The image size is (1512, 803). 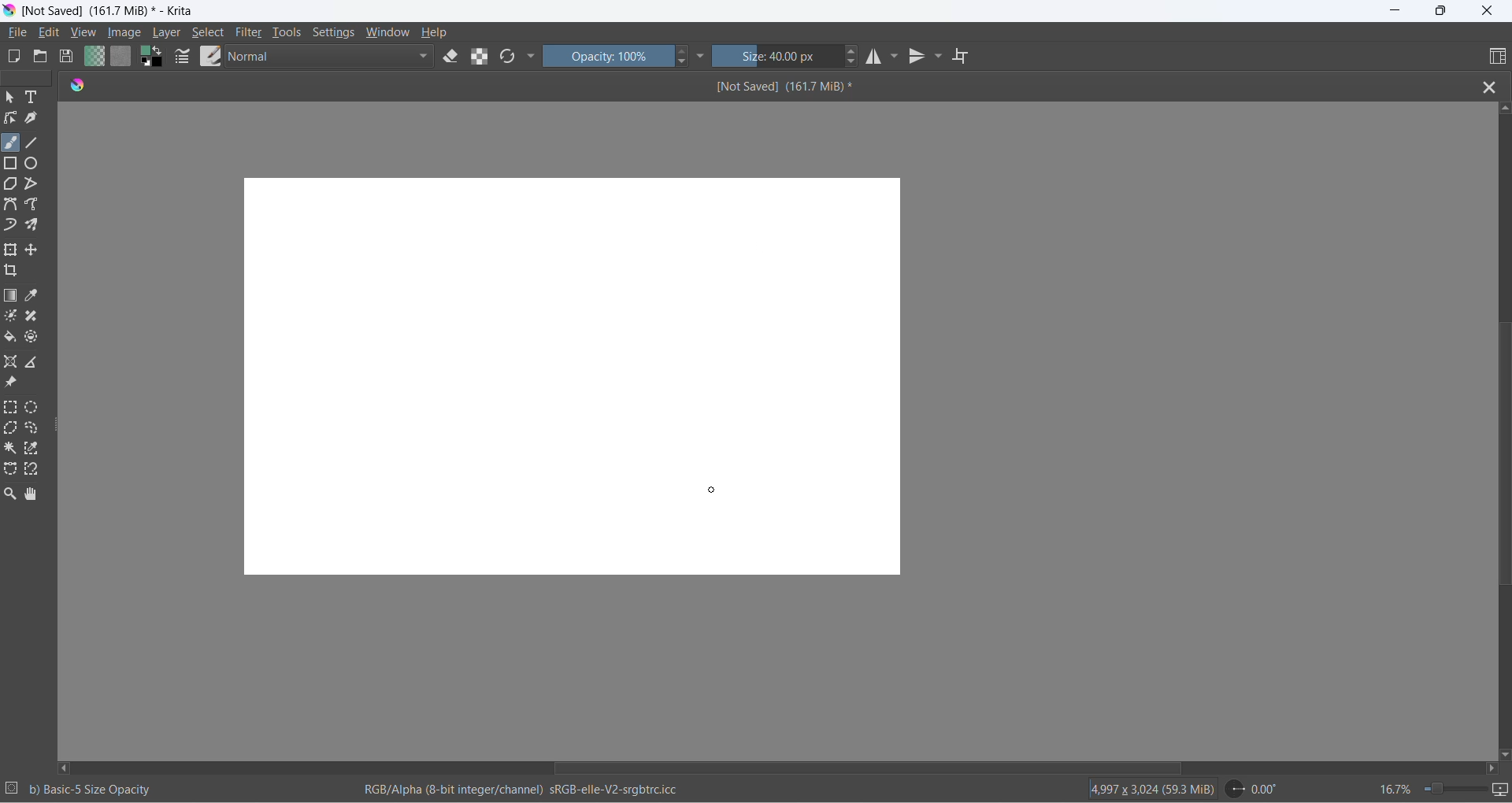 What do you see at coordinates (169, 33) in the screenshot?
I see `layer` at bounding box center [169, 33].